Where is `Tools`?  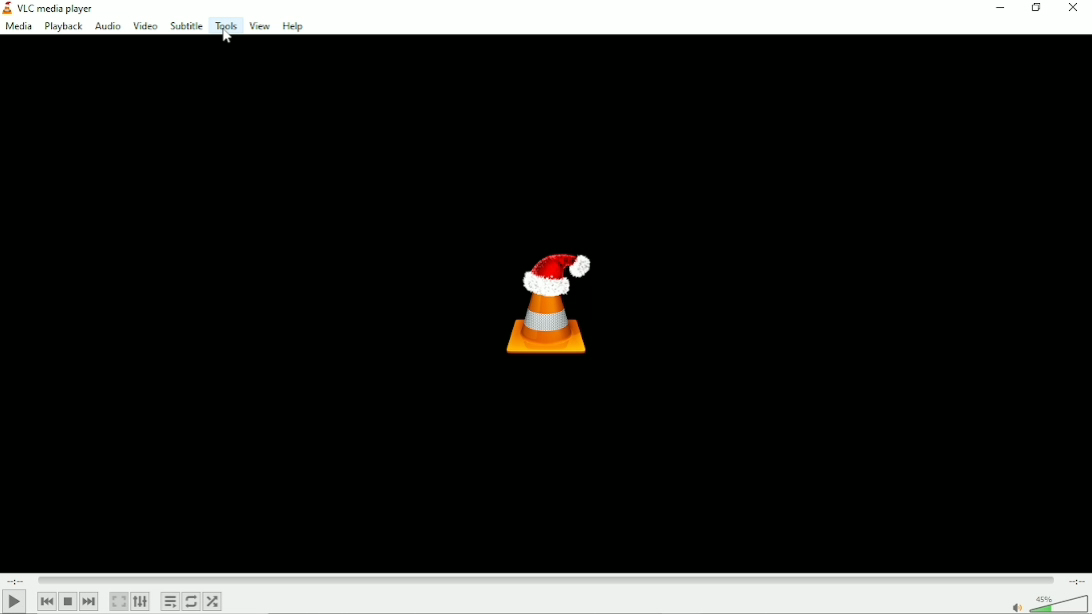 Tools is located at coordinates (225, 25).